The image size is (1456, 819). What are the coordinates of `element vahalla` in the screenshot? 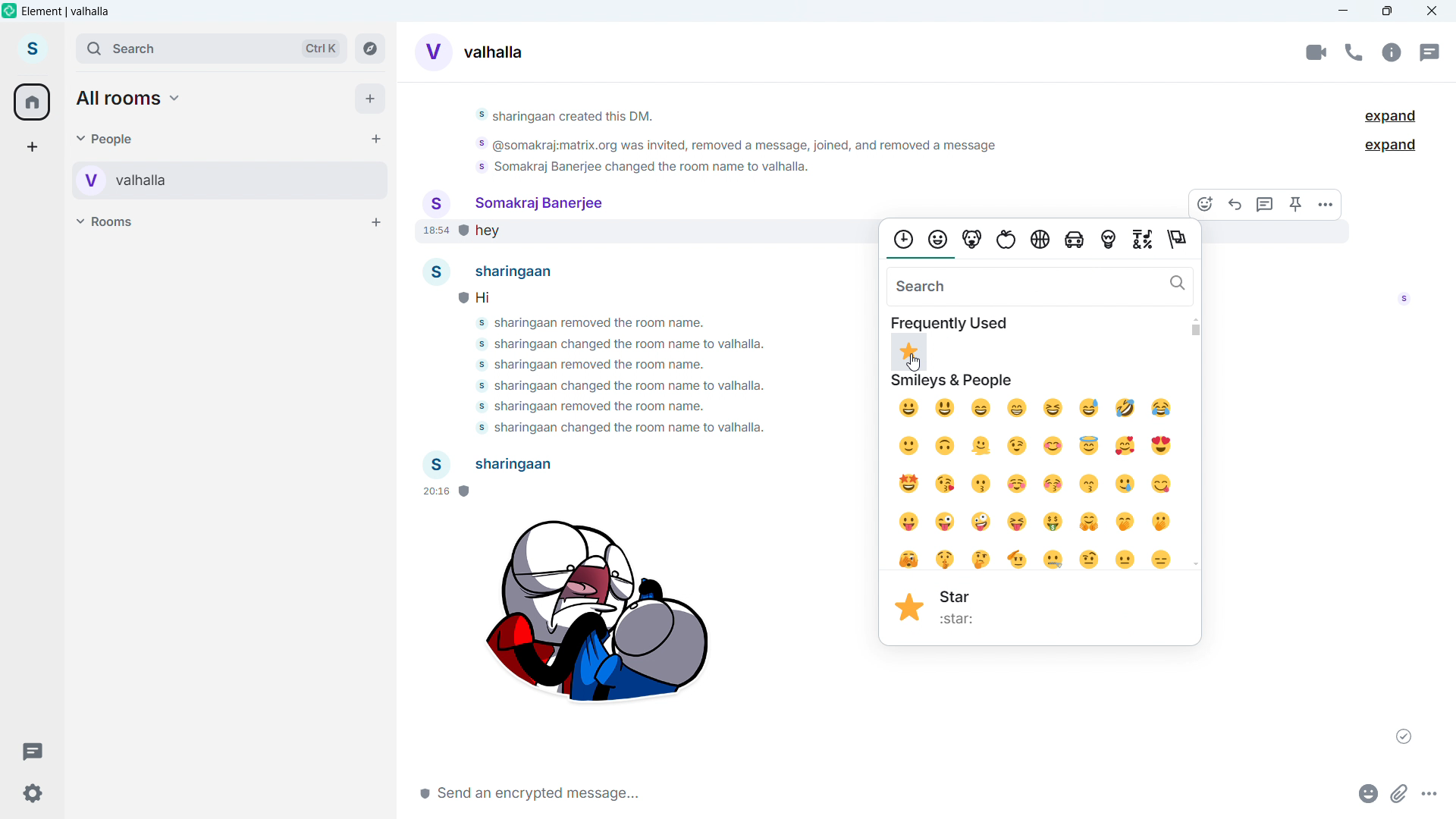 It's located at (67, 11).